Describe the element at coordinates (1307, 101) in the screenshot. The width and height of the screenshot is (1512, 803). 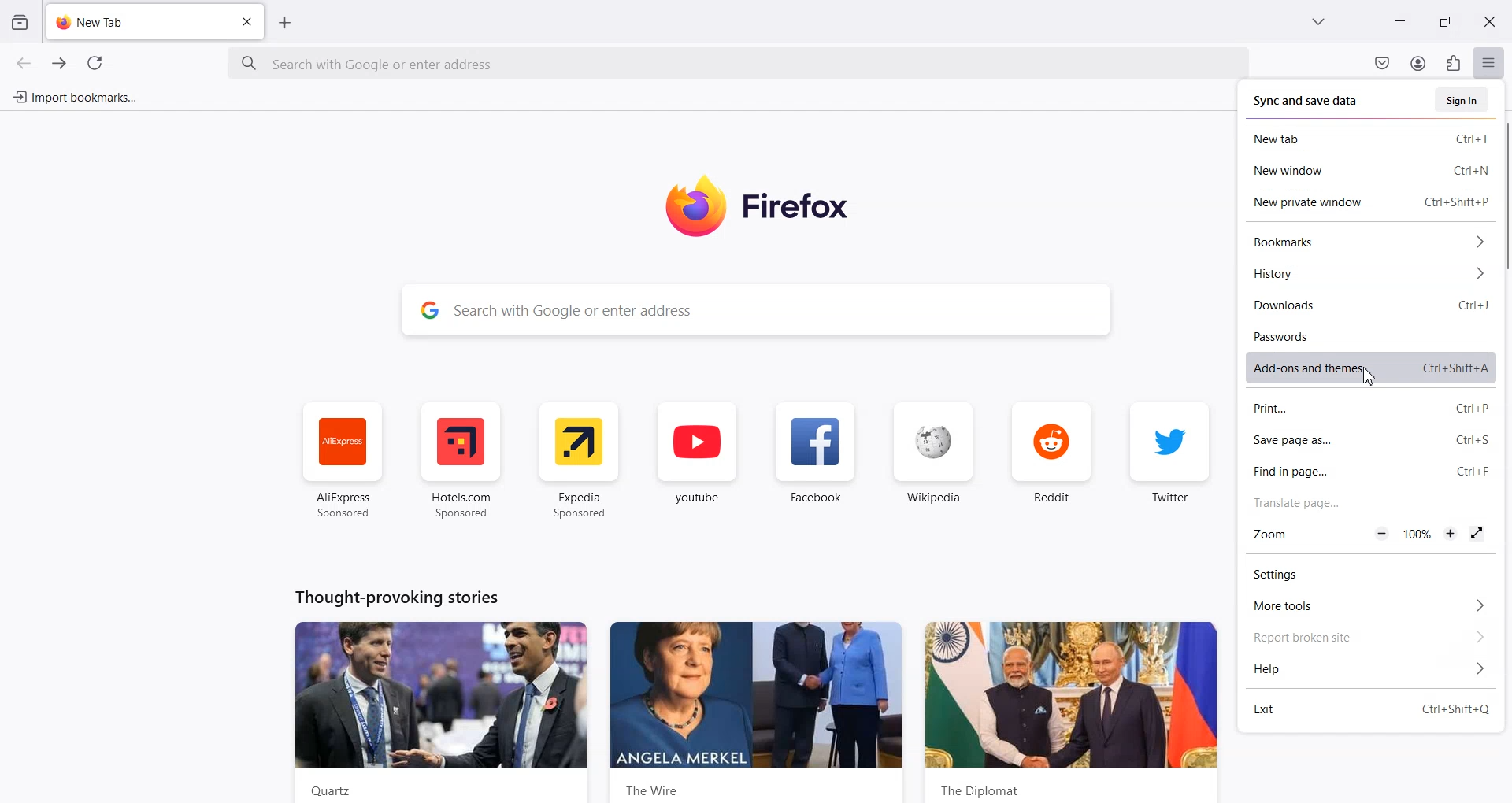
I see `Sync and save data` at that location.